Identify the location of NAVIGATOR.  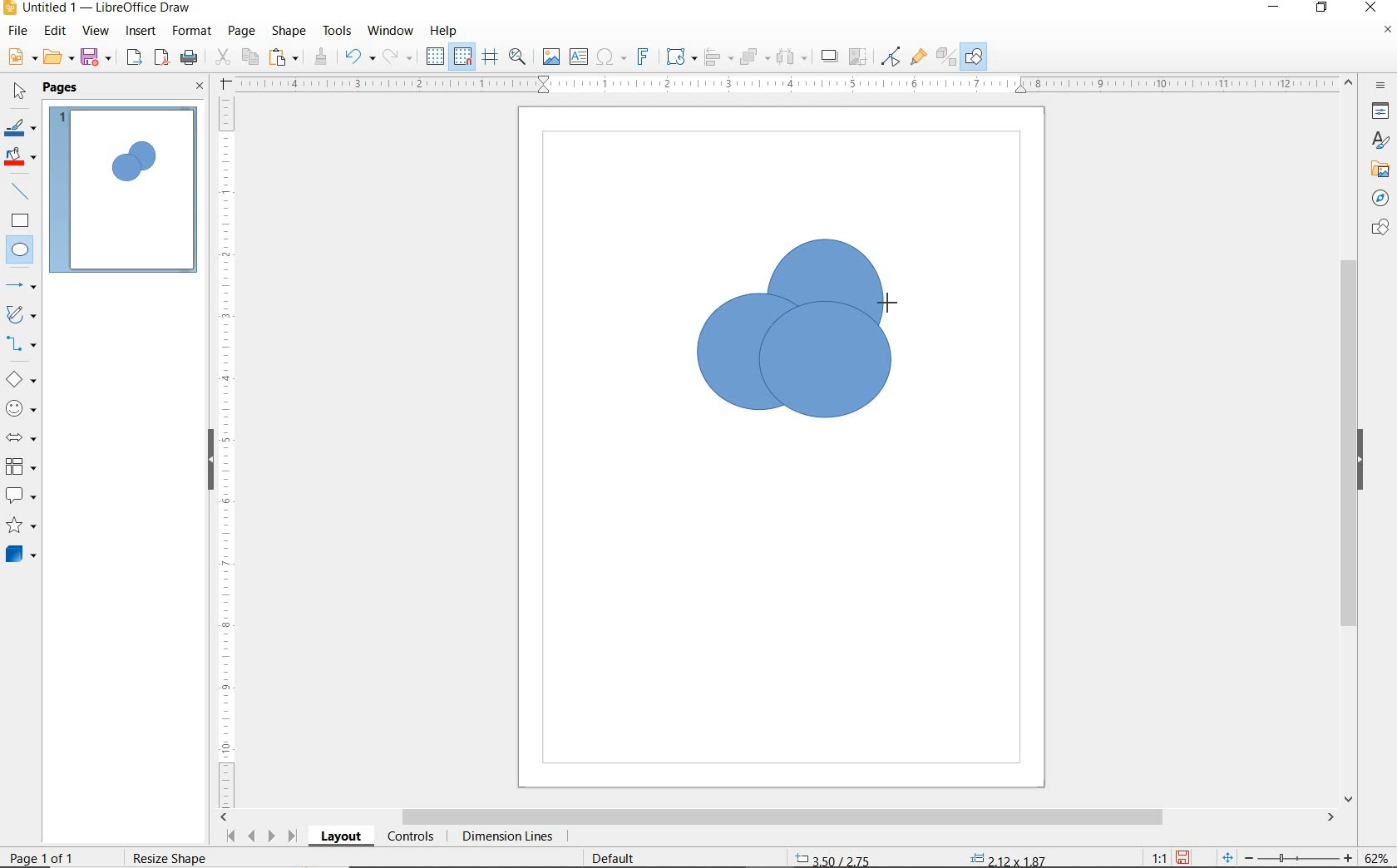
(1375, 199).